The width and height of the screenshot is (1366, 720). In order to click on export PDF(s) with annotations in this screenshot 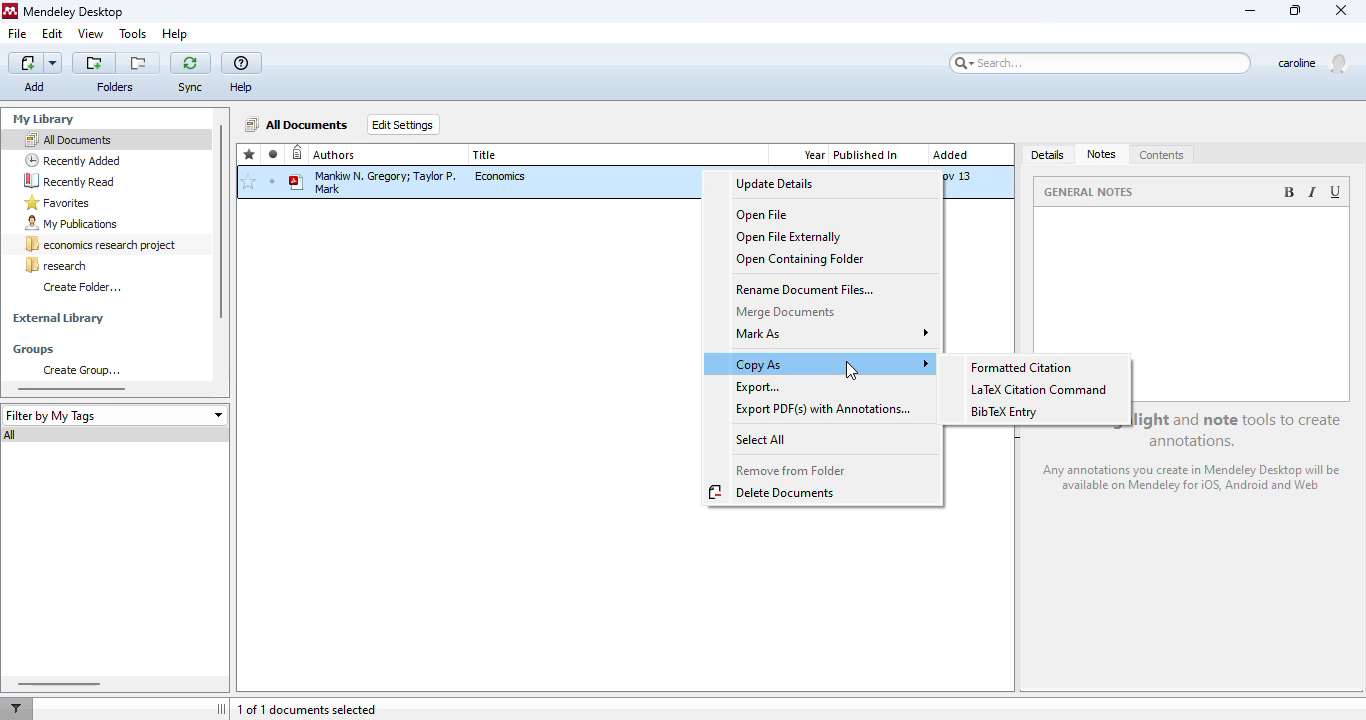, I will do `click(827, 409)`.